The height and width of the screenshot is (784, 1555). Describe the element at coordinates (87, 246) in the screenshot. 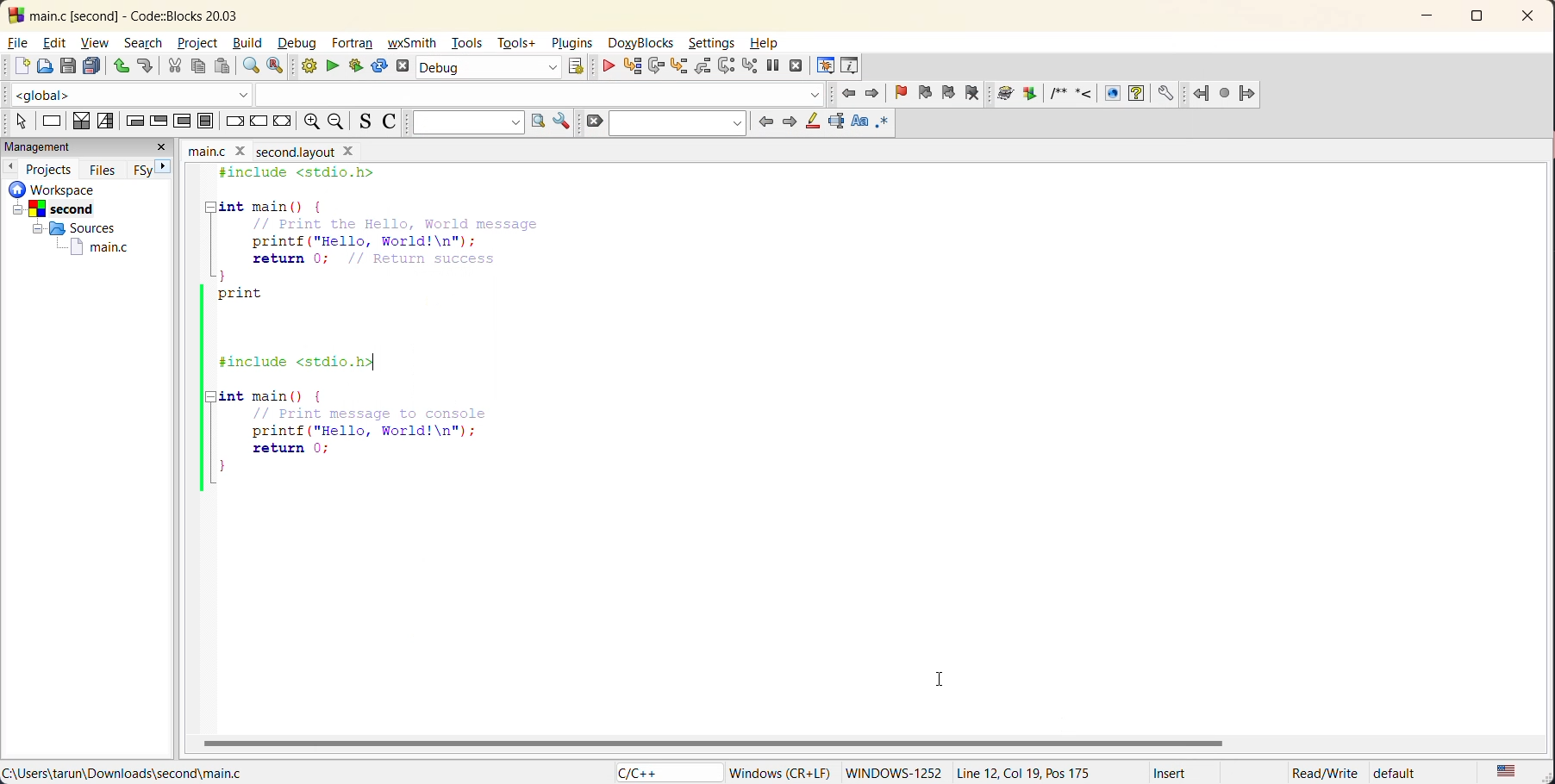

I see `main.c` at that location.